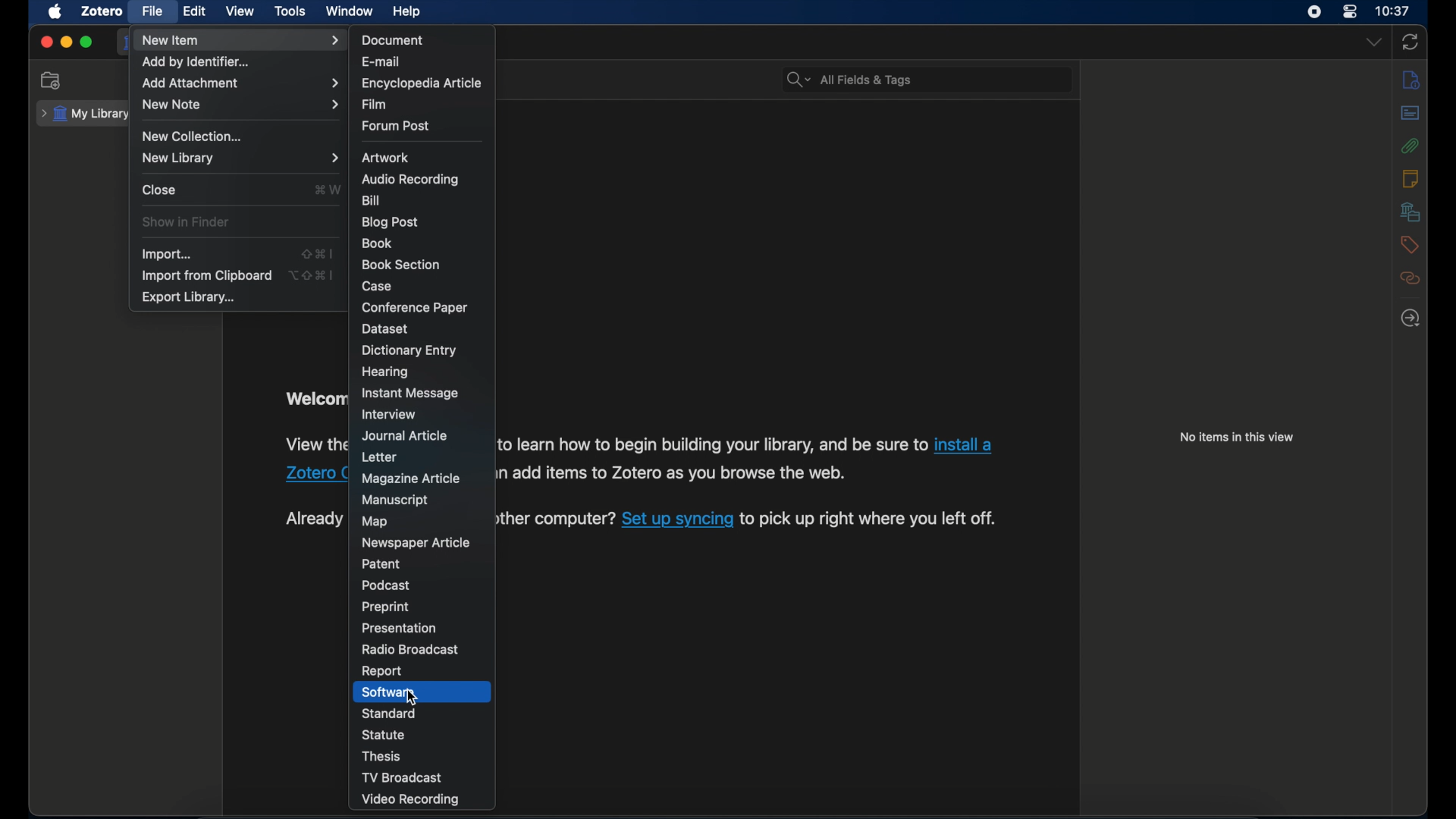  What do you see at coordinates (1410, 177) in the screenshot?
I see `notes` at bounding box center [1410, 177].